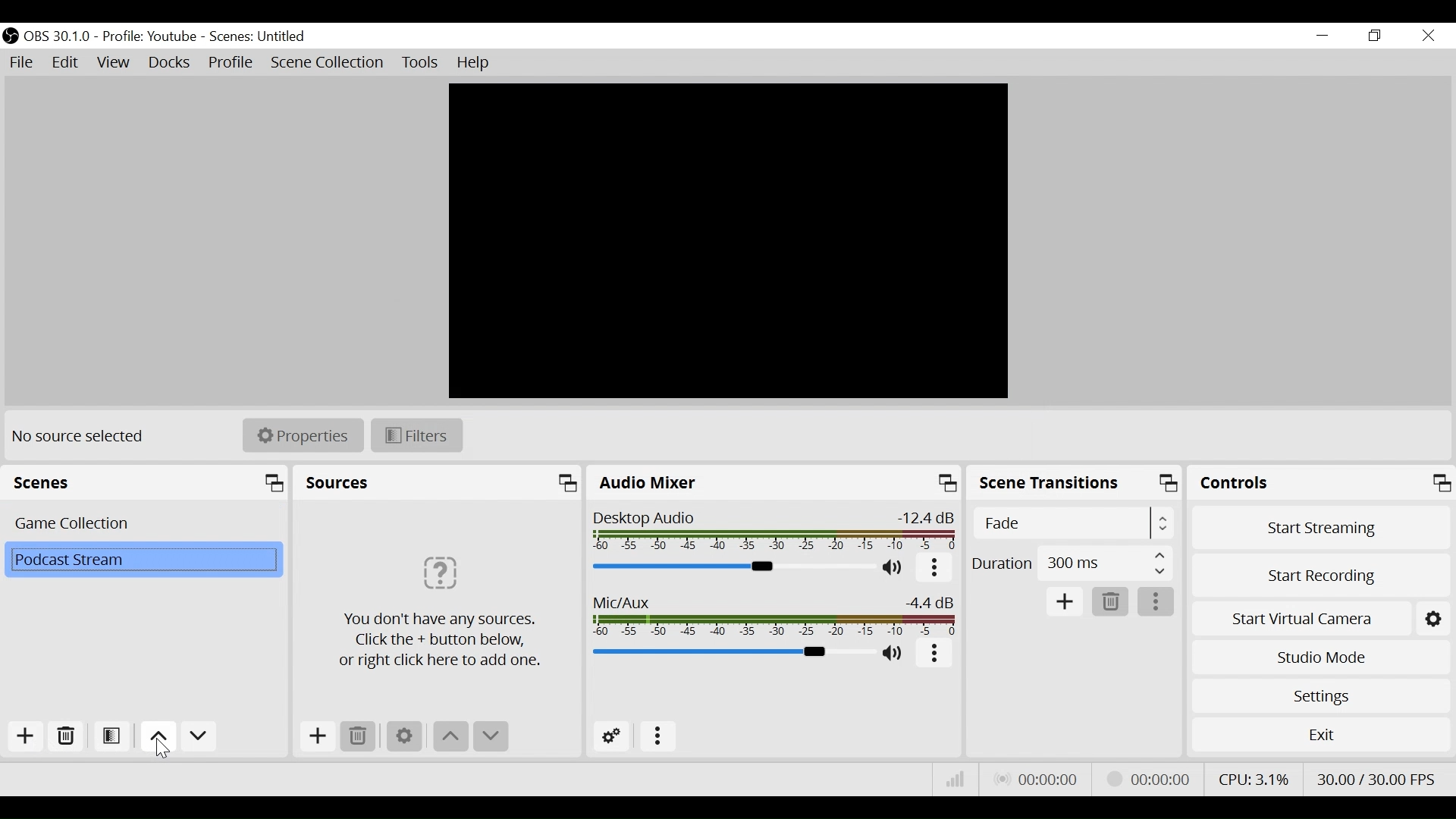 The height and width of the screenshot is (819, 1456). I want to click on No source selected, so click(83, 436).